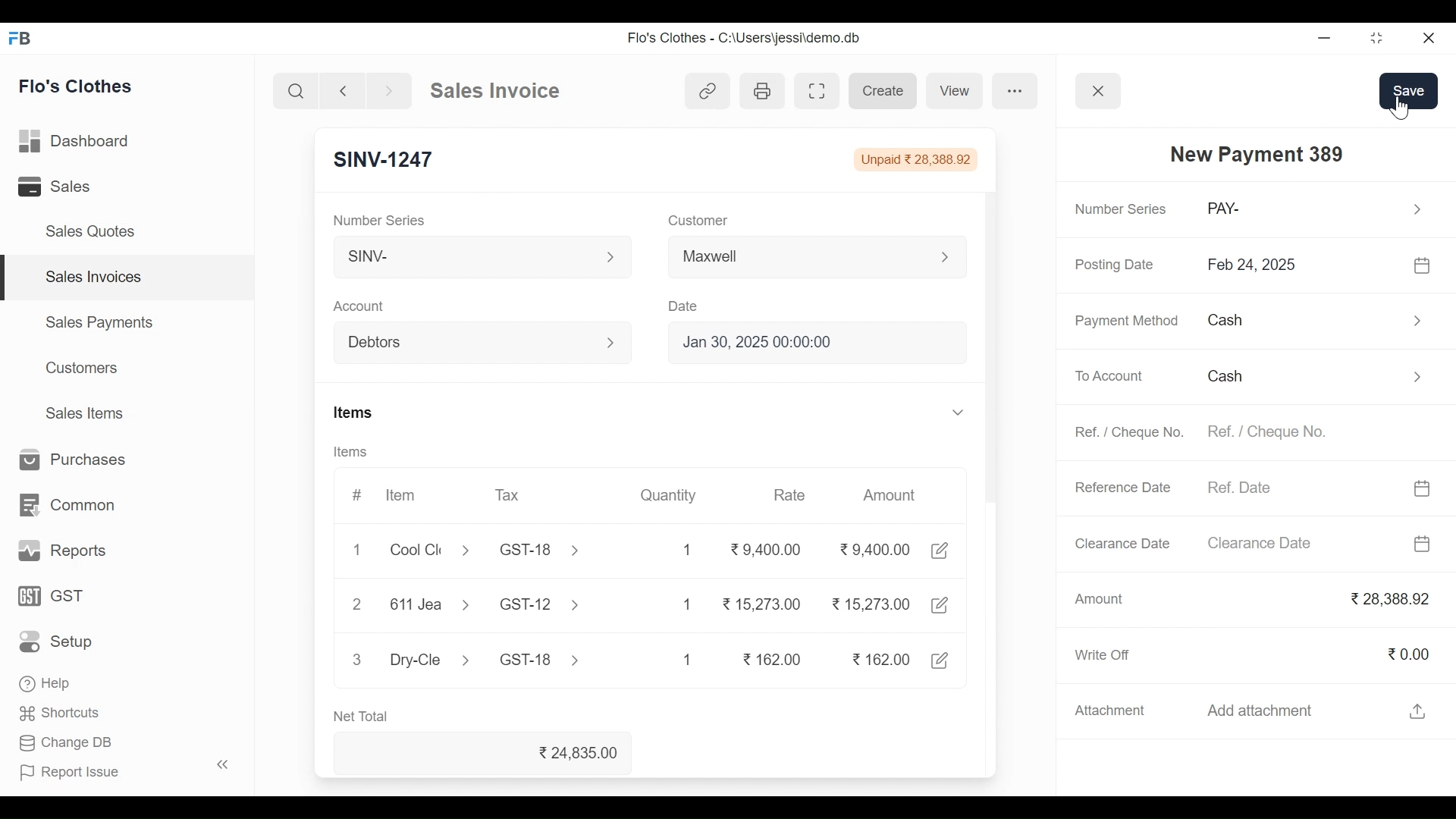 This screenshot has height=819, width=1456. I want to click on Write Off, so click(1109, 655).